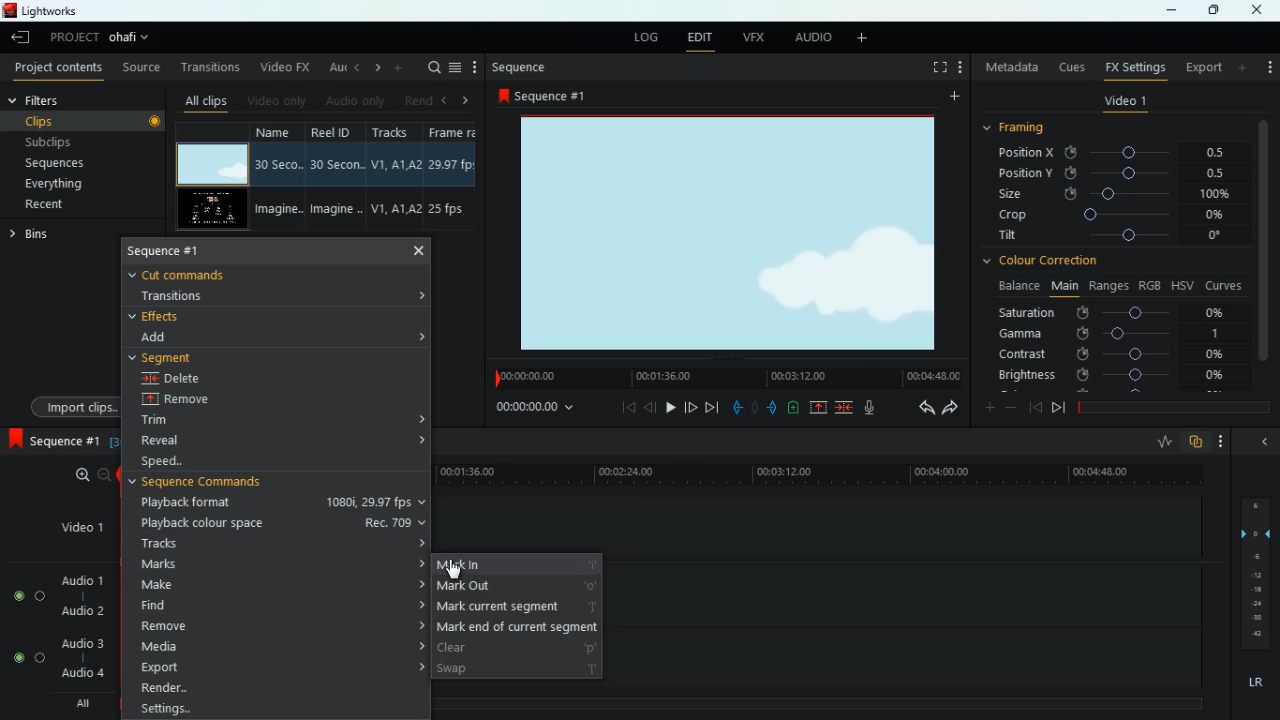 This screenshot has width=1280, height=720. What do you see at coordinates (1109, 287) in the screenshot?
I see `ranges` at bounding box center [1109, 287].